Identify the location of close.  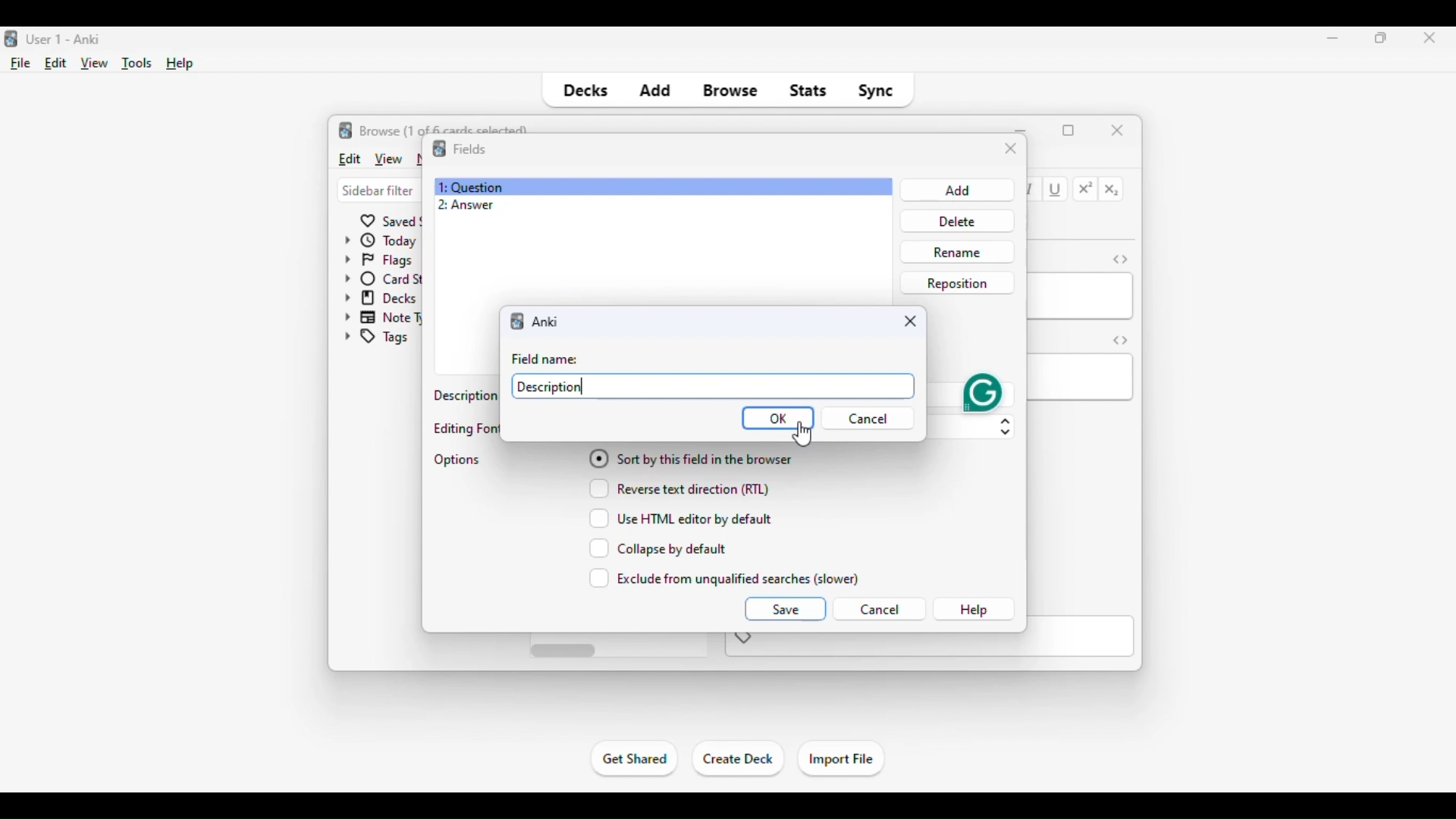
(1011, 149).